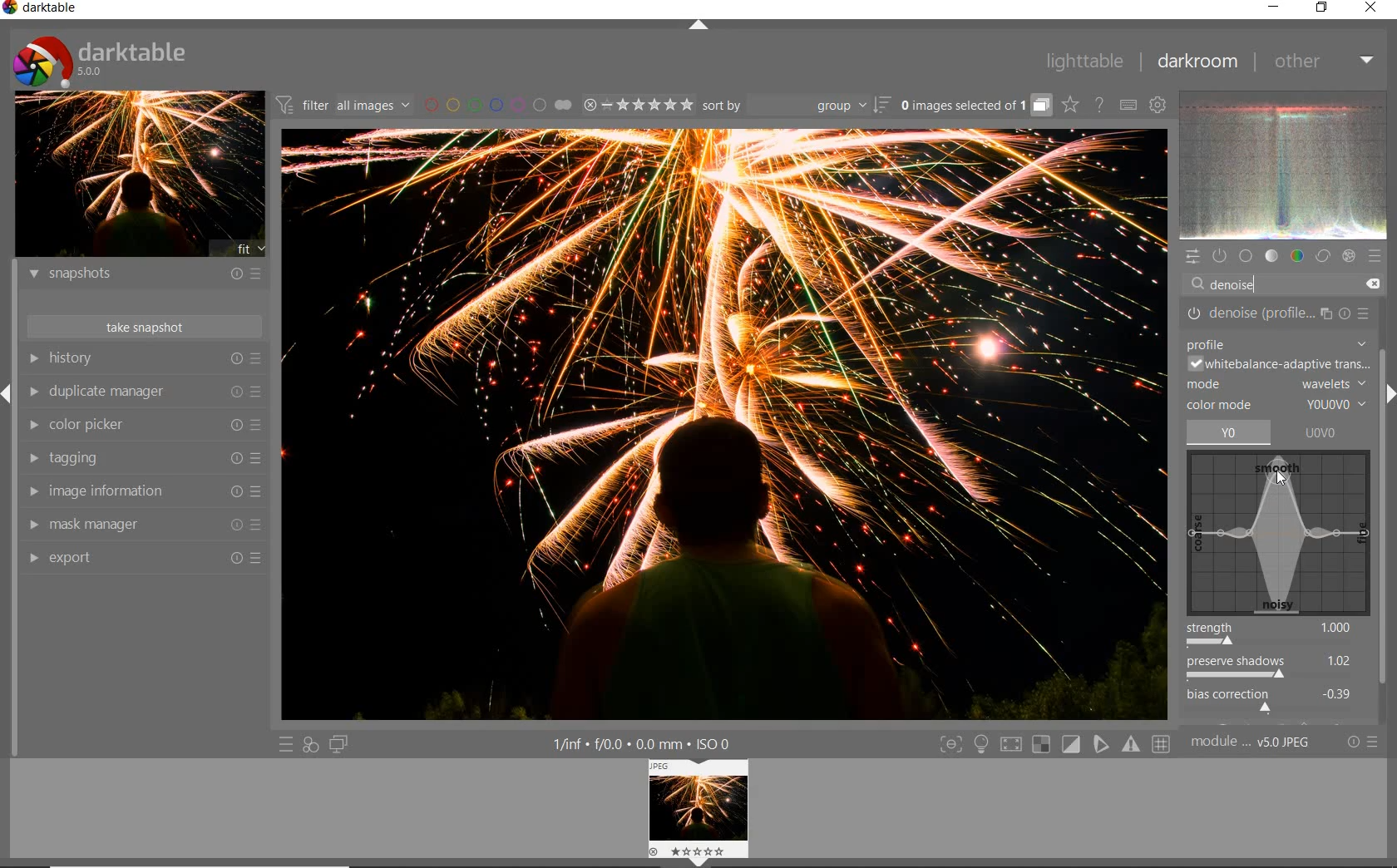  I want to click on DENOISE(PROFILE..., so click(1279, 313).